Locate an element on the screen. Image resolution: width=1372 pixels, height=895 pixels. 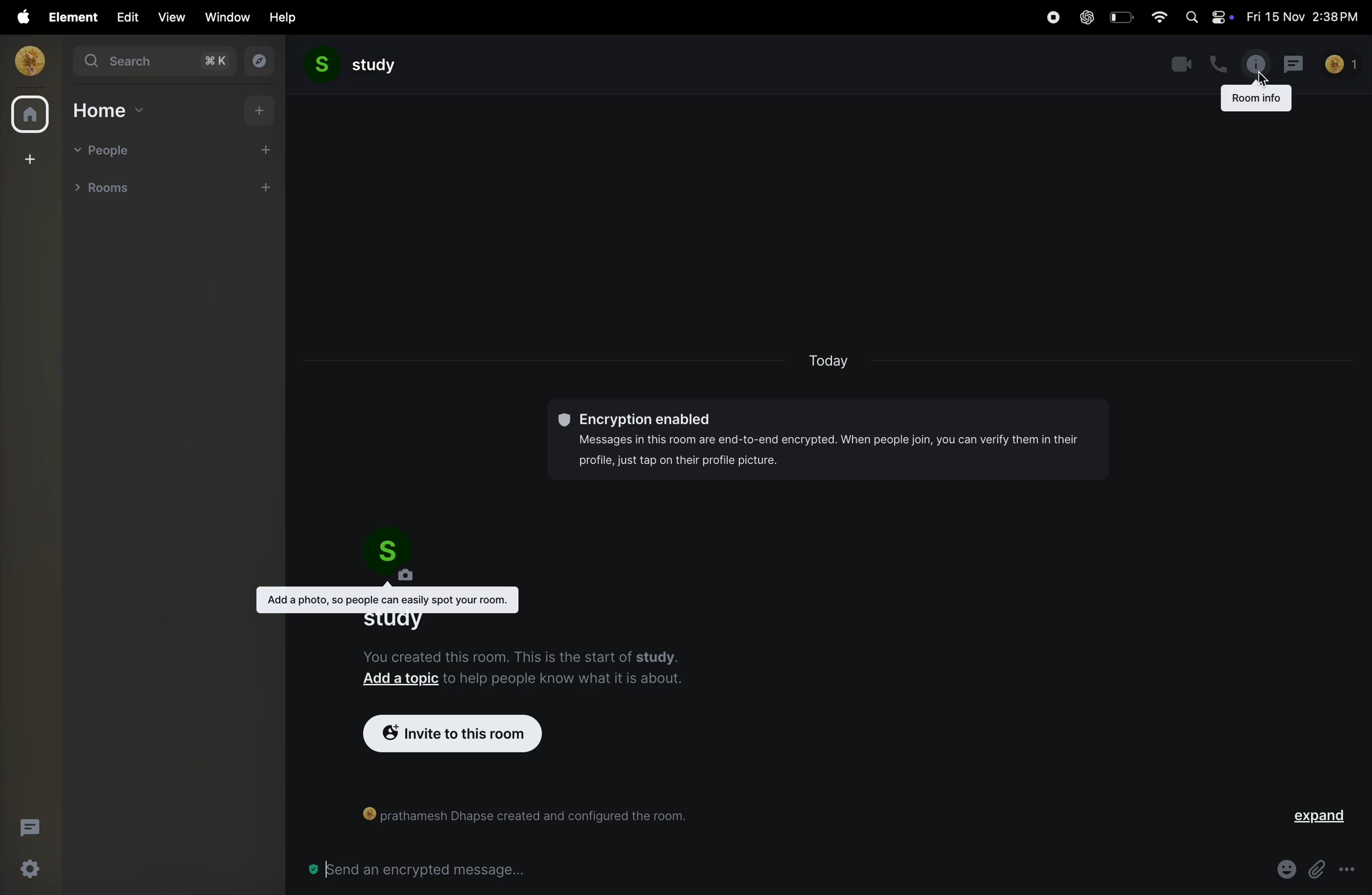
today is located at coordinates (825, 358).